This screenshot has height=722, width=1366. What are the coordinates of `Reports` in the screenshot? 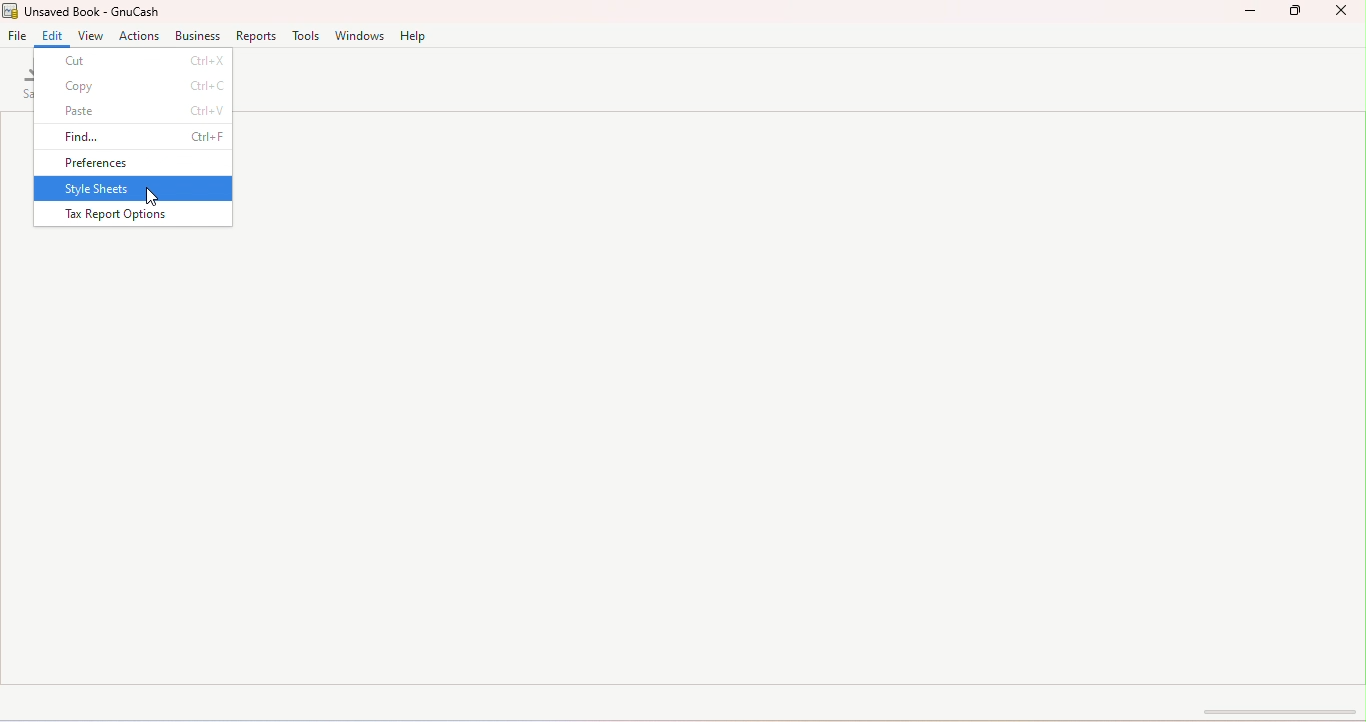 It's located at (255, 37).